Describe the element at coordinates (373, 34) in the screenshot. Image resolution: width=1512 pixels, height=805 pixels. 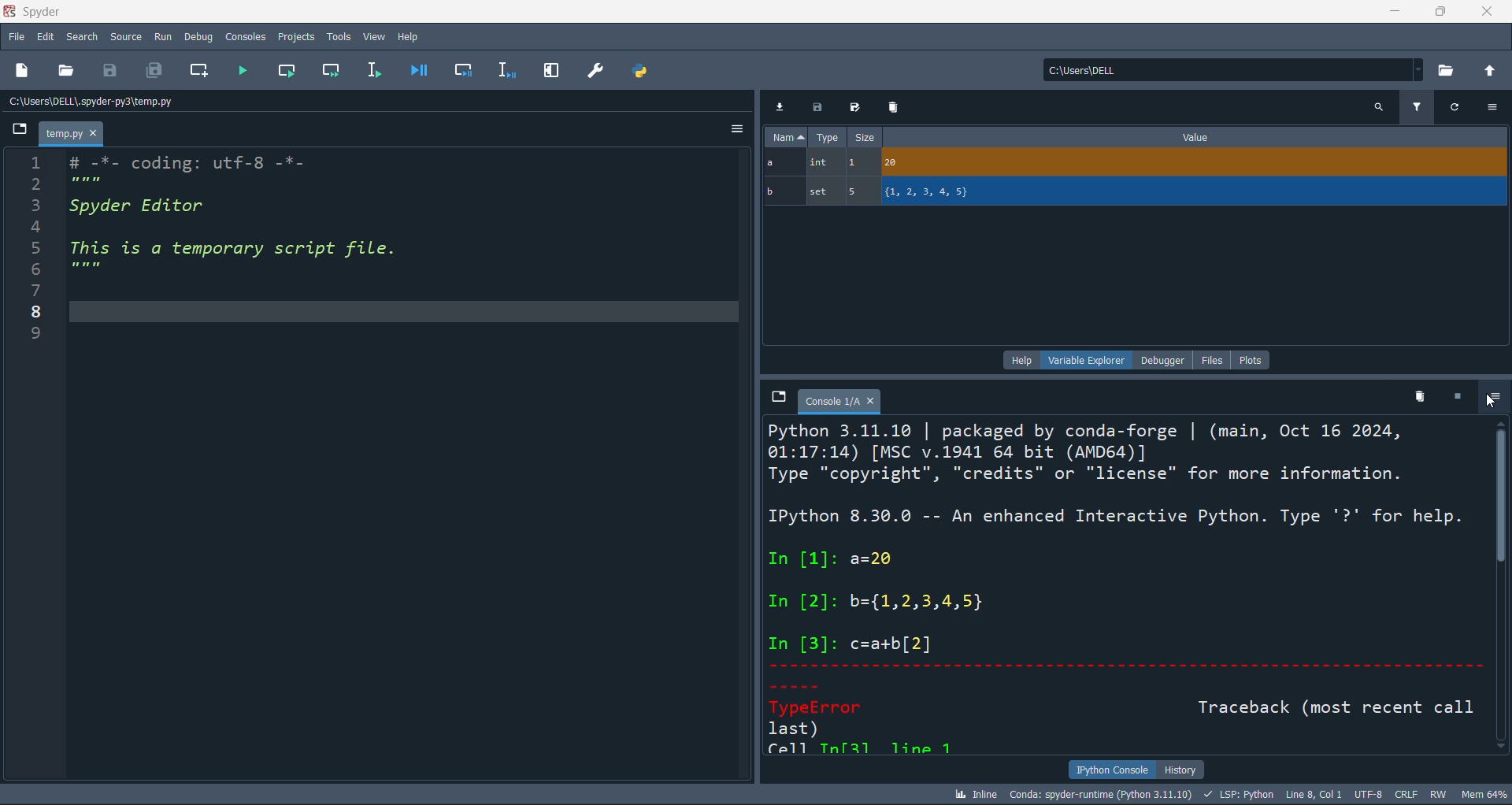
I see `view` at that location.